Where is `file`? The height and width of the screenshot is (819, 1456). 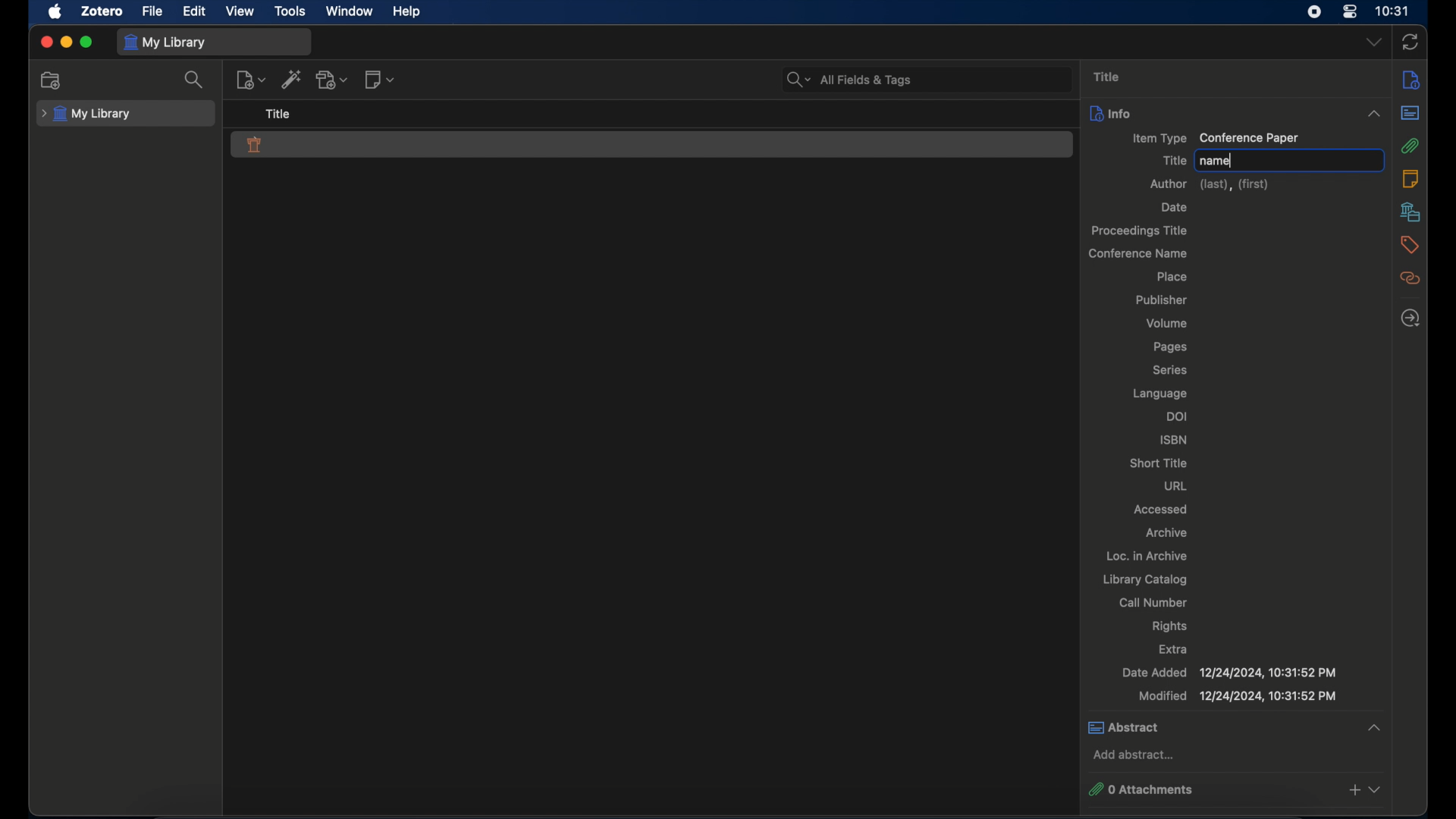 file is located at coordinates (152, 12).